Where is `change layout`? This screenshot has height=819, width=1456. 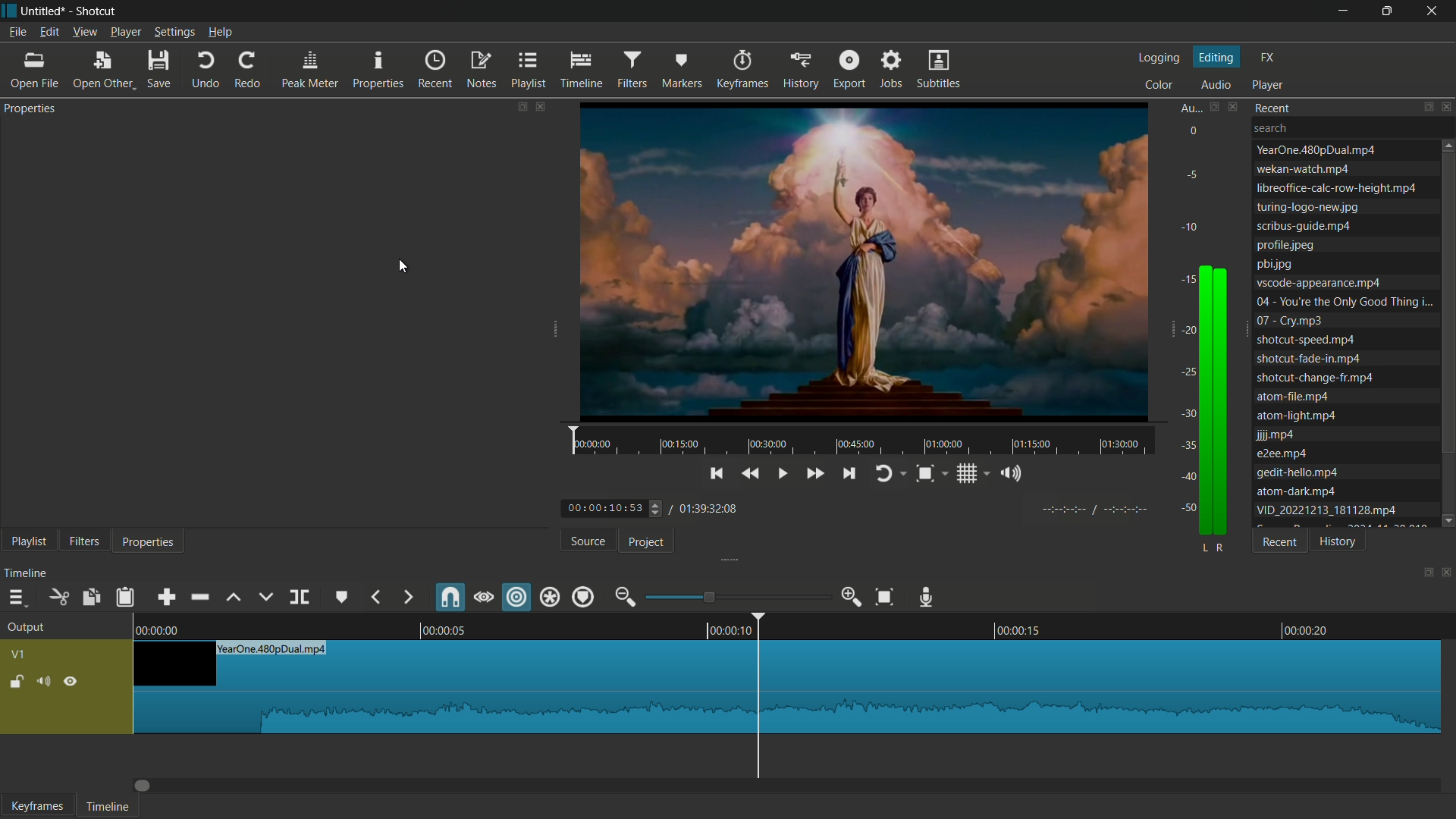
change layout is located at coordinates (1213, 108).